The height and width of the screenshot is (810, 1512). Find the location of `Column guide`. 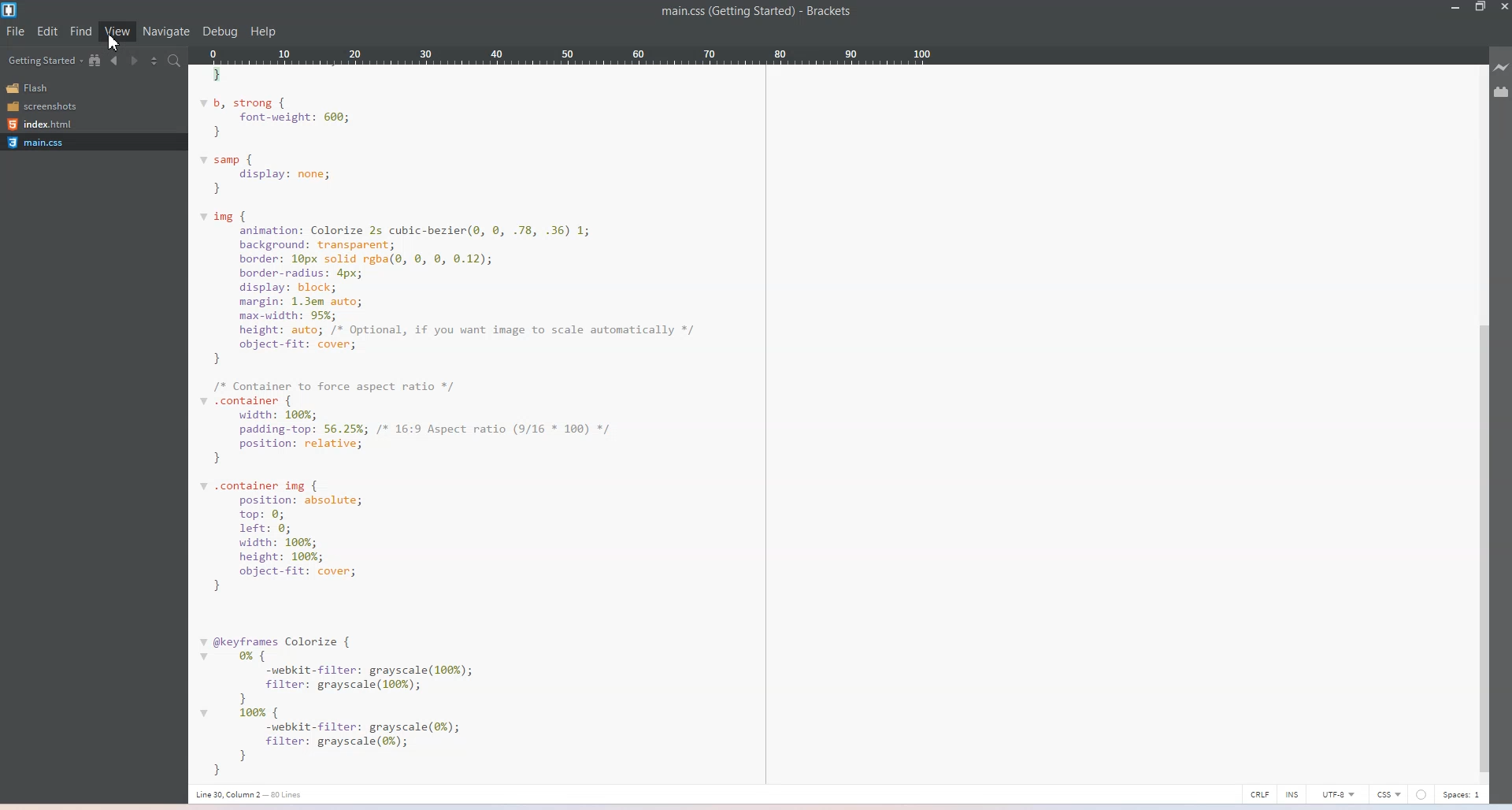

Column guide is located at coordinates (765, 426).